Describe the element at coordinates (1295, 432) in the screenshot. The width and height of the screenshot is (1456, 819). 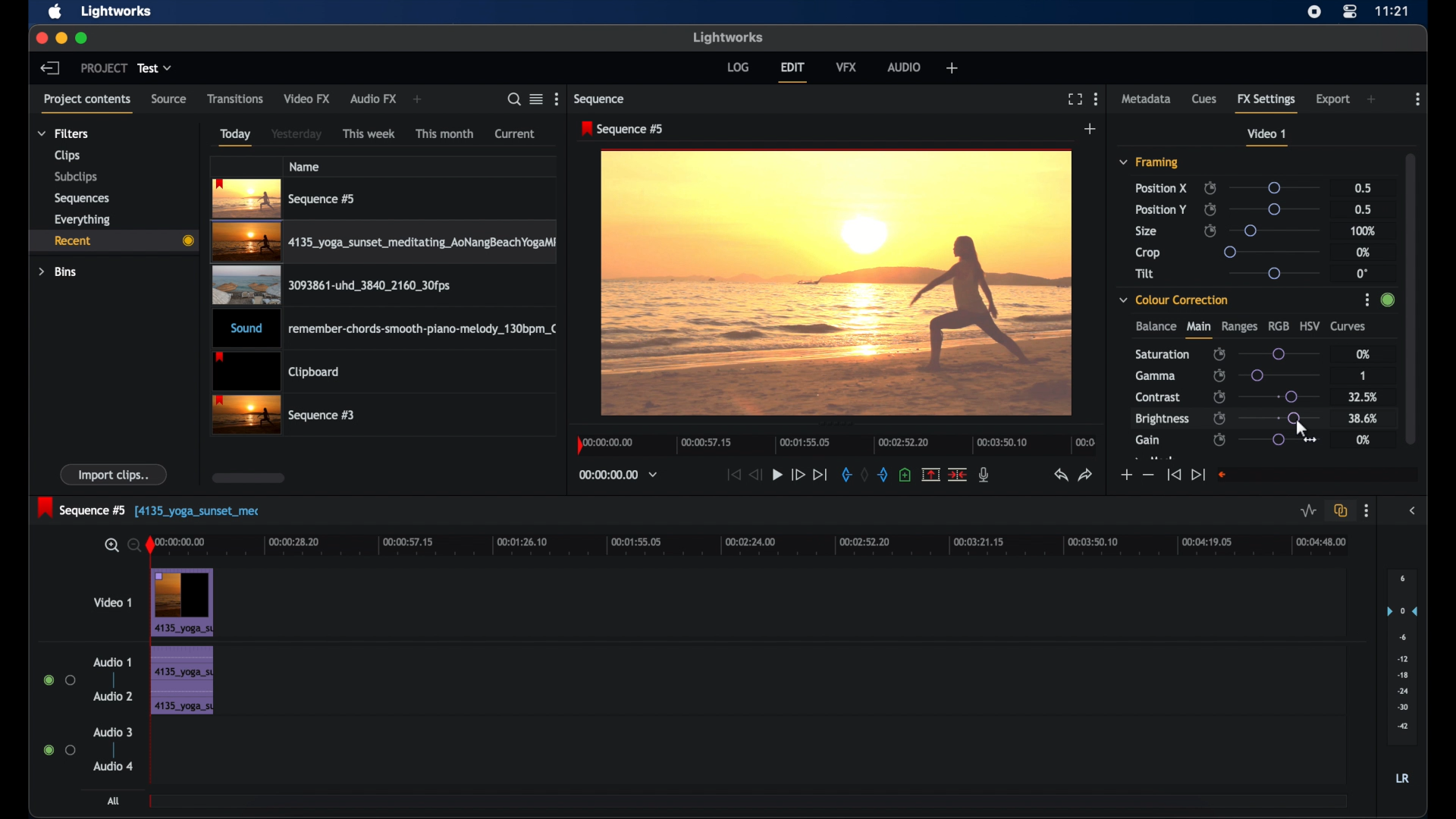
I see `cursor` at that location.